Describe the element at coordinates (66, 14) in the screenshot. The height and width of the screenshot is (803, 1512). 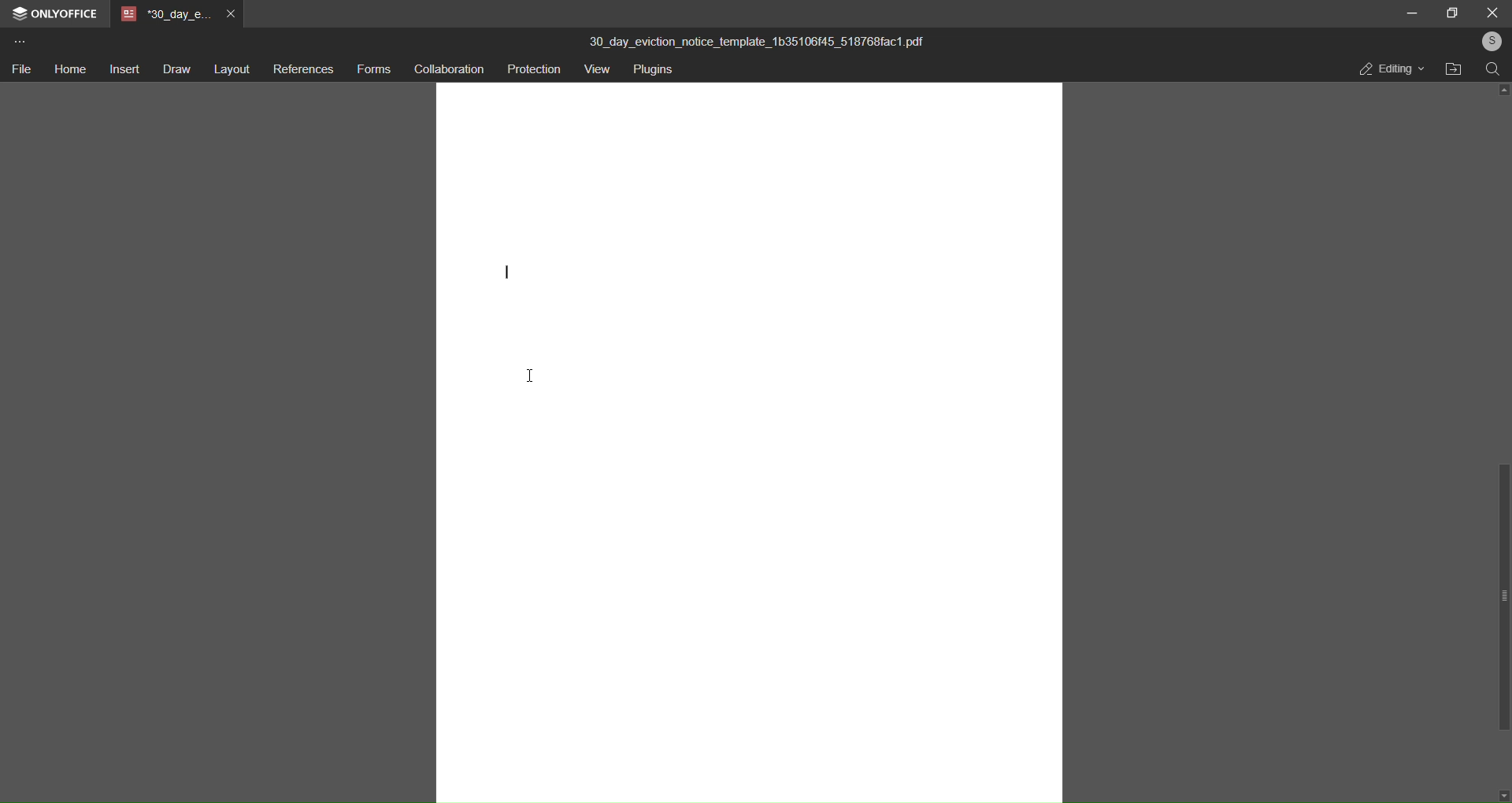
I see `onlyoffice` at that location.